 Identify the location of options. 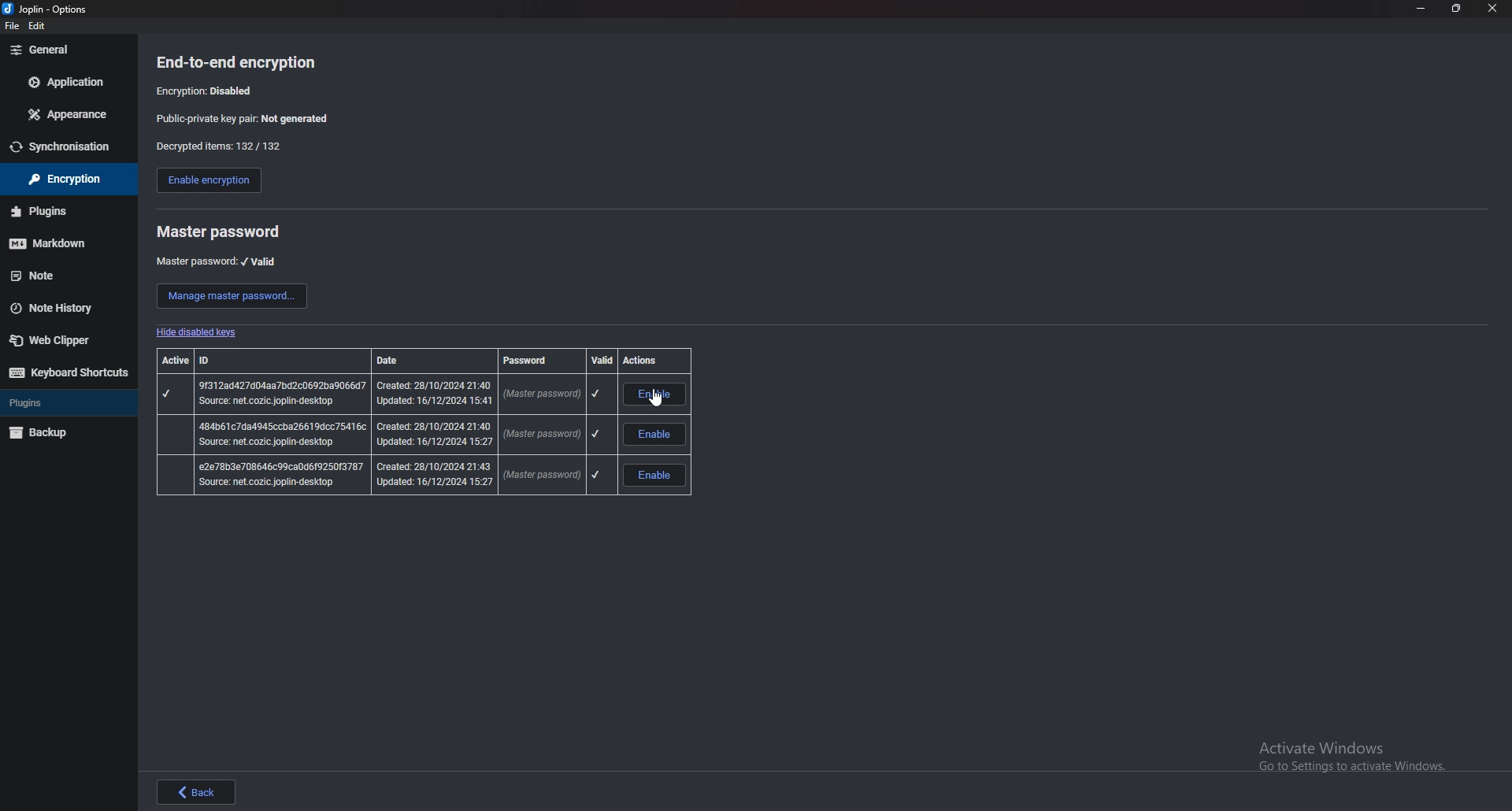
(51, 8).